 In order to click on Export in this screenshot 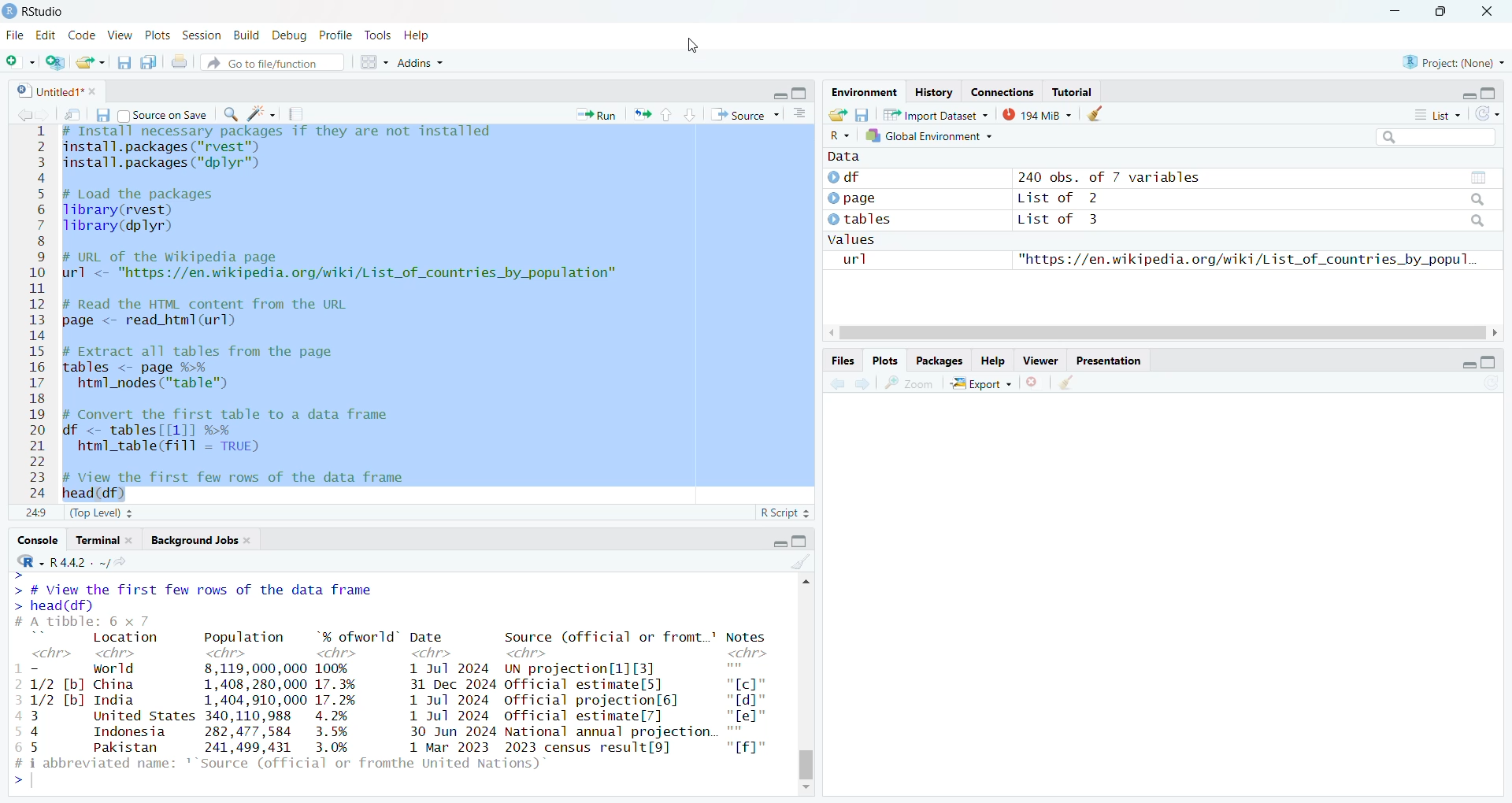, I will do `click(982, 383)`.